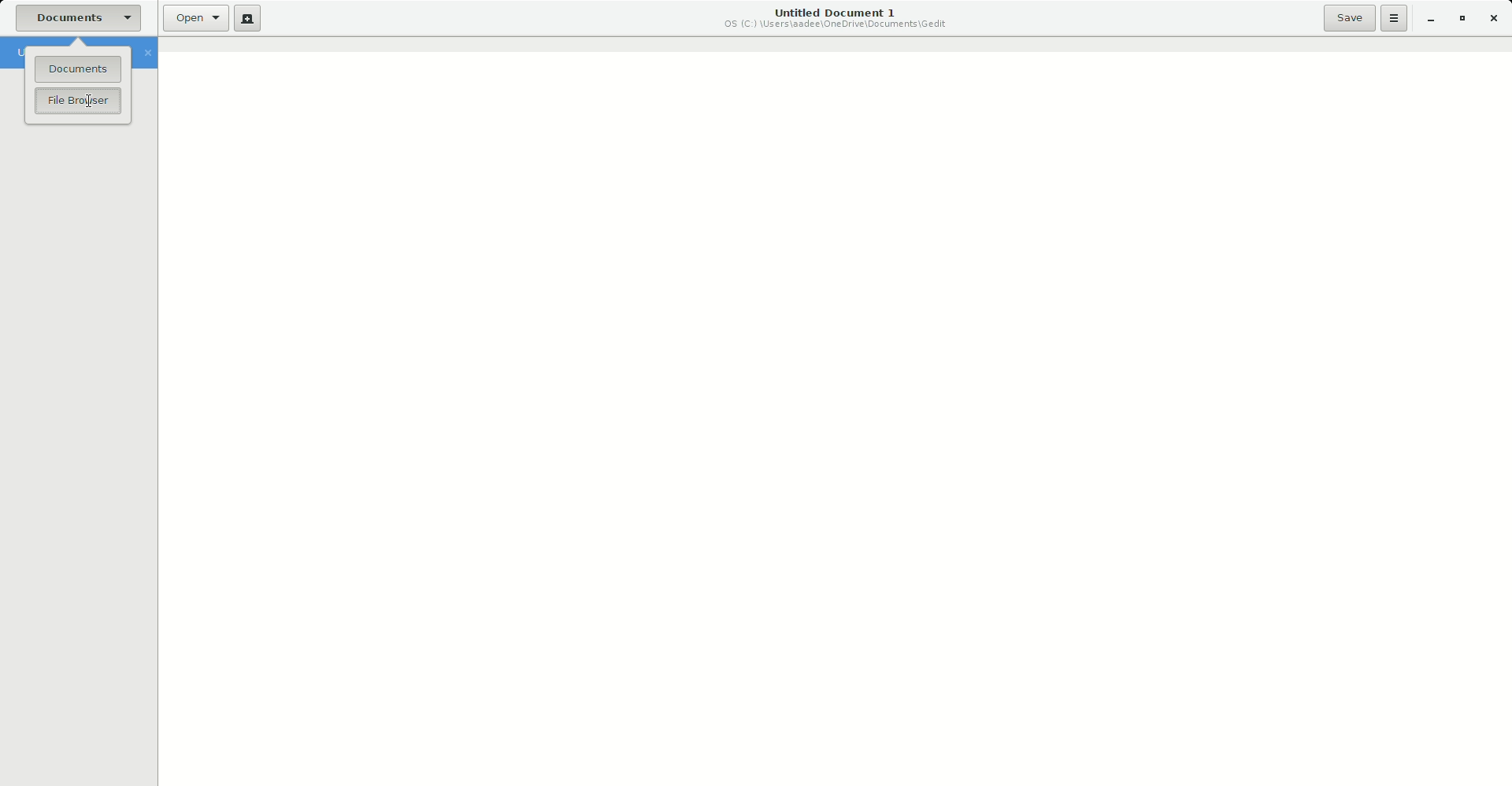  What do you see at coordinates (81, 103) in the screenshot?
I see `File Browser` at bounding box center [81, 103].